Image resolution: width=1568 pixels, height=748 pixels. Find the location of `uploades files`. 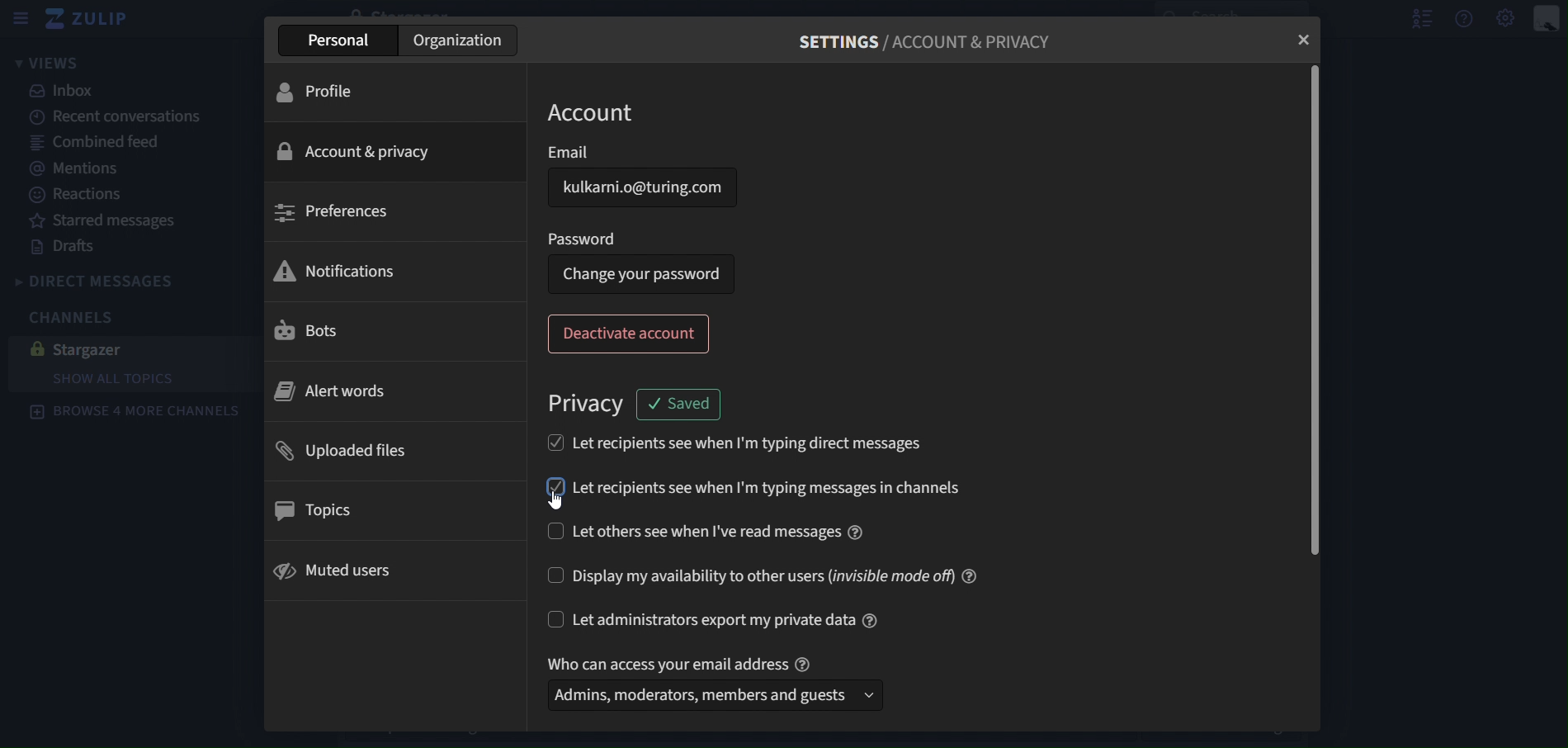

uploades files is located at coordinates (346, 450).